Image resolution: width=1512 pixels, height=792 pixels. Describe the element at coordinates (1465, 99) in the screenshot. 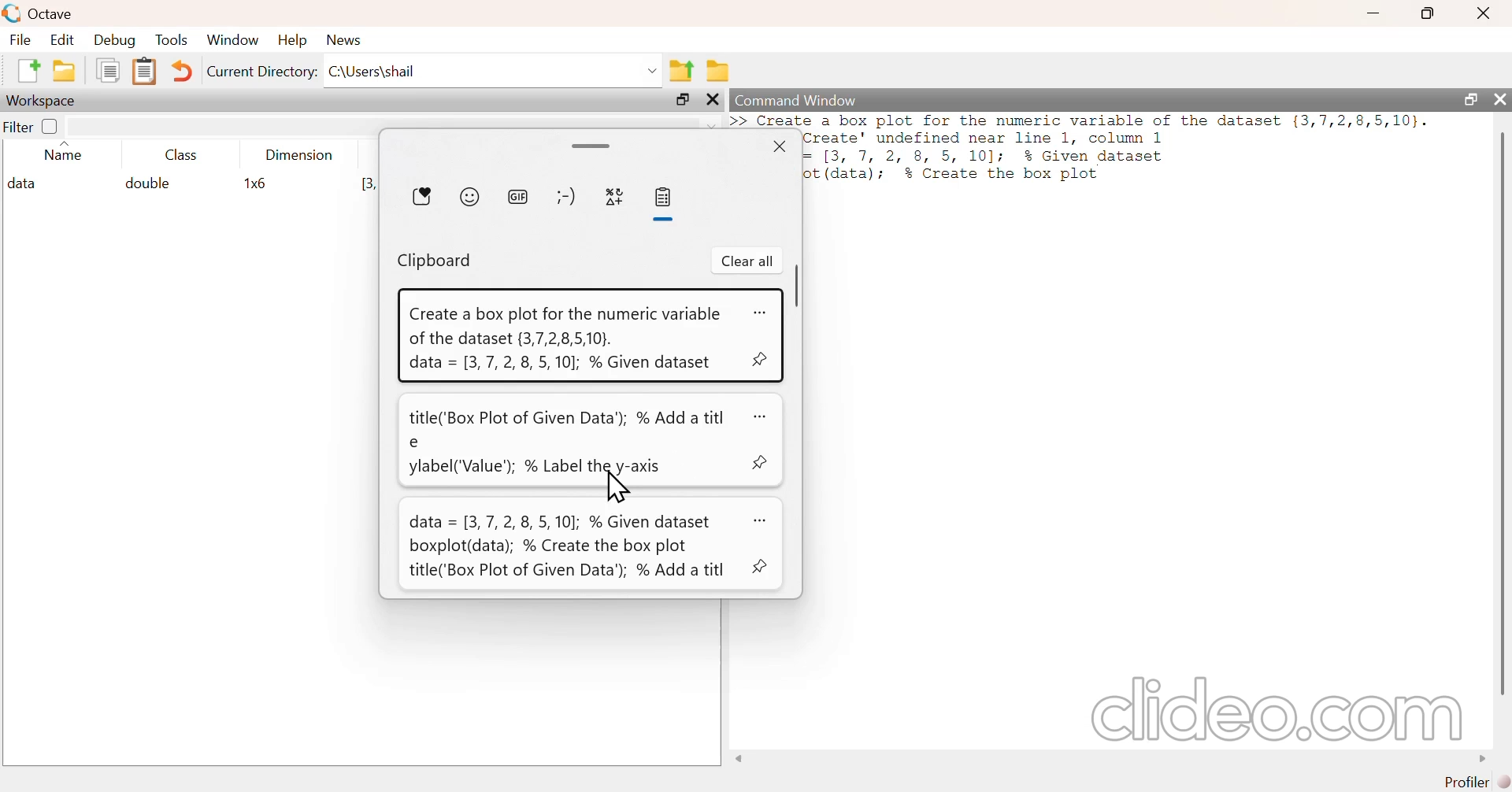

I see `maximize` at that location.